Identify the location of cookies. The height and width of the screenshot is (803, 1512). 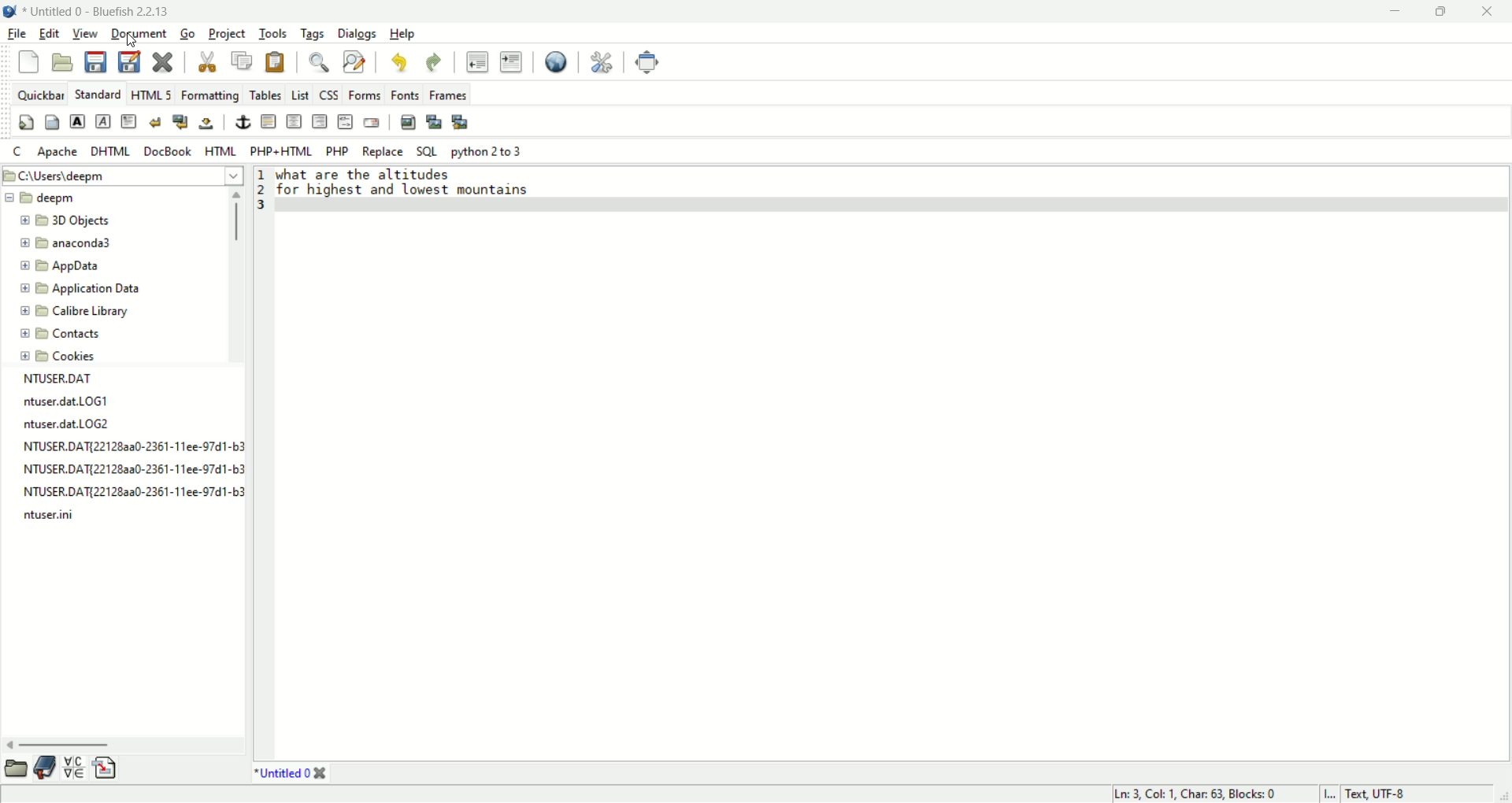
(60, 358).